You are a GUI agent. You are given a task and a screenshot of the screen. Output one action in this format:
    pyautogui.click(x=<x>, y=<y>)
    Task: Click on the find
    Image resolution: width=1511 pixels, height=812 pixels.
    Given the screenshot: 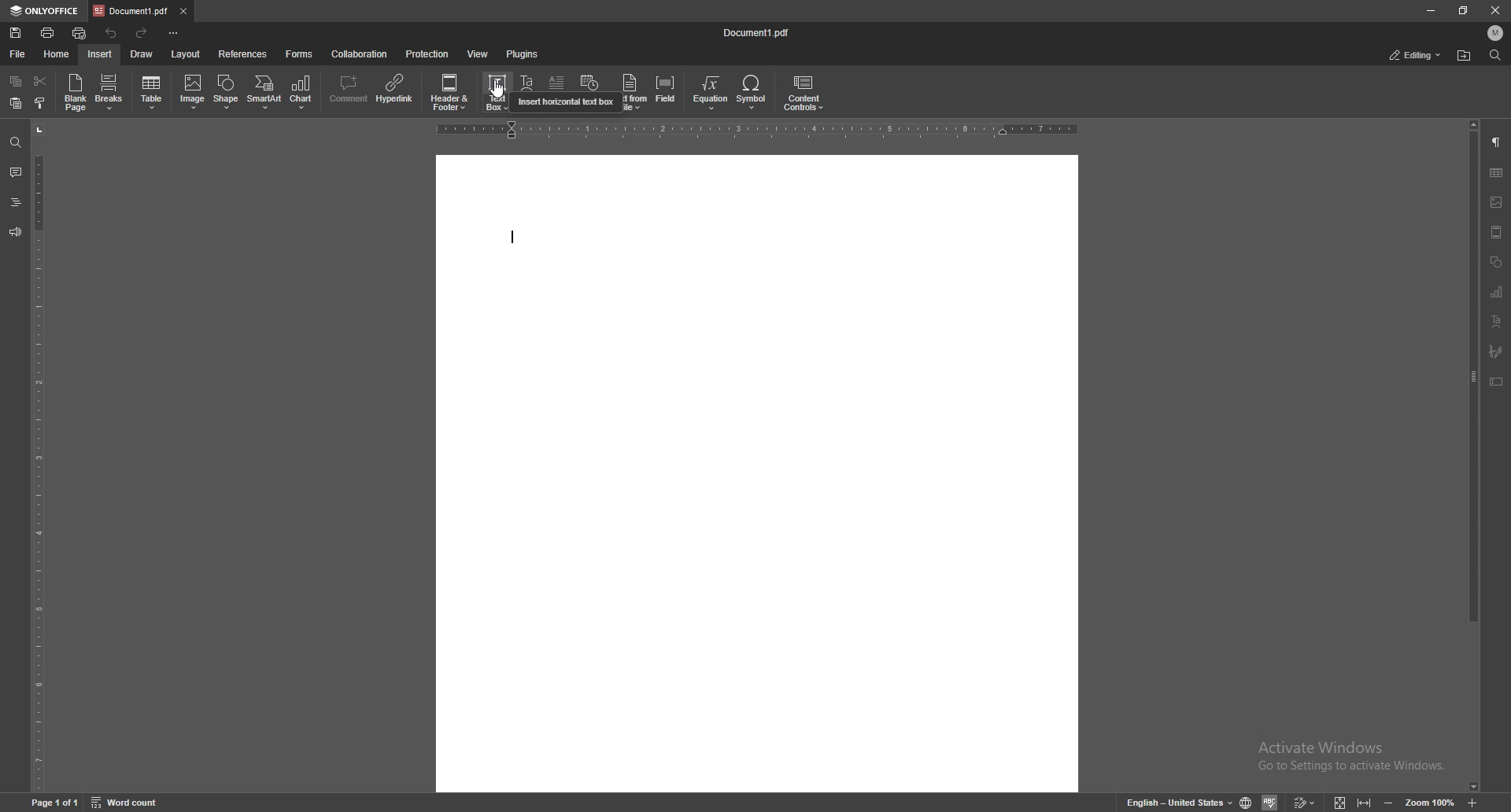 What is the action you would take?
    pyautogui.click(x=1496, y=55)
    